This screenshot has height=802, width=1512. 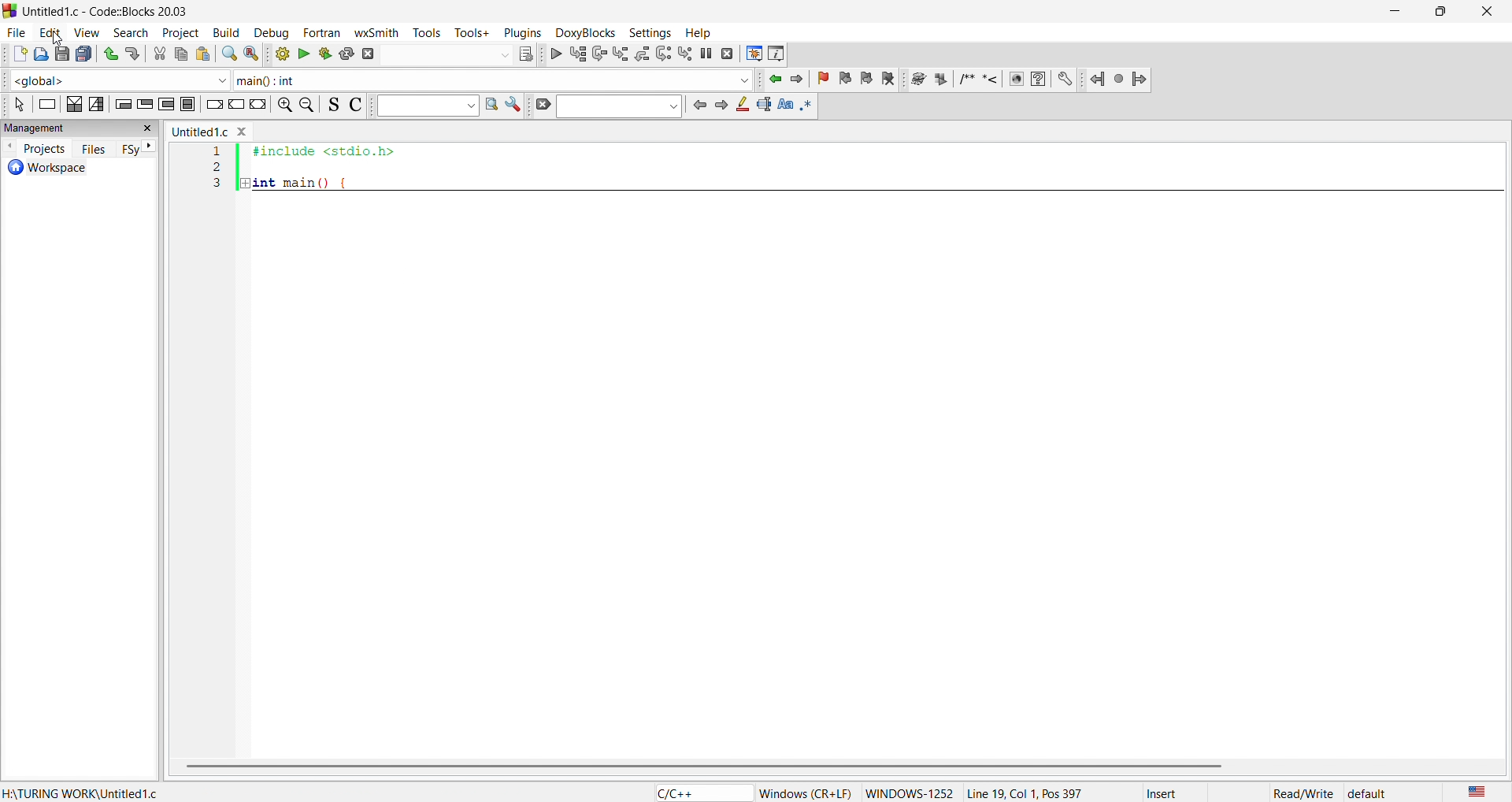 What do you see at coordinates (37, 55) in the screenshot?
I see `openfile` at bounding box center [37, 55].